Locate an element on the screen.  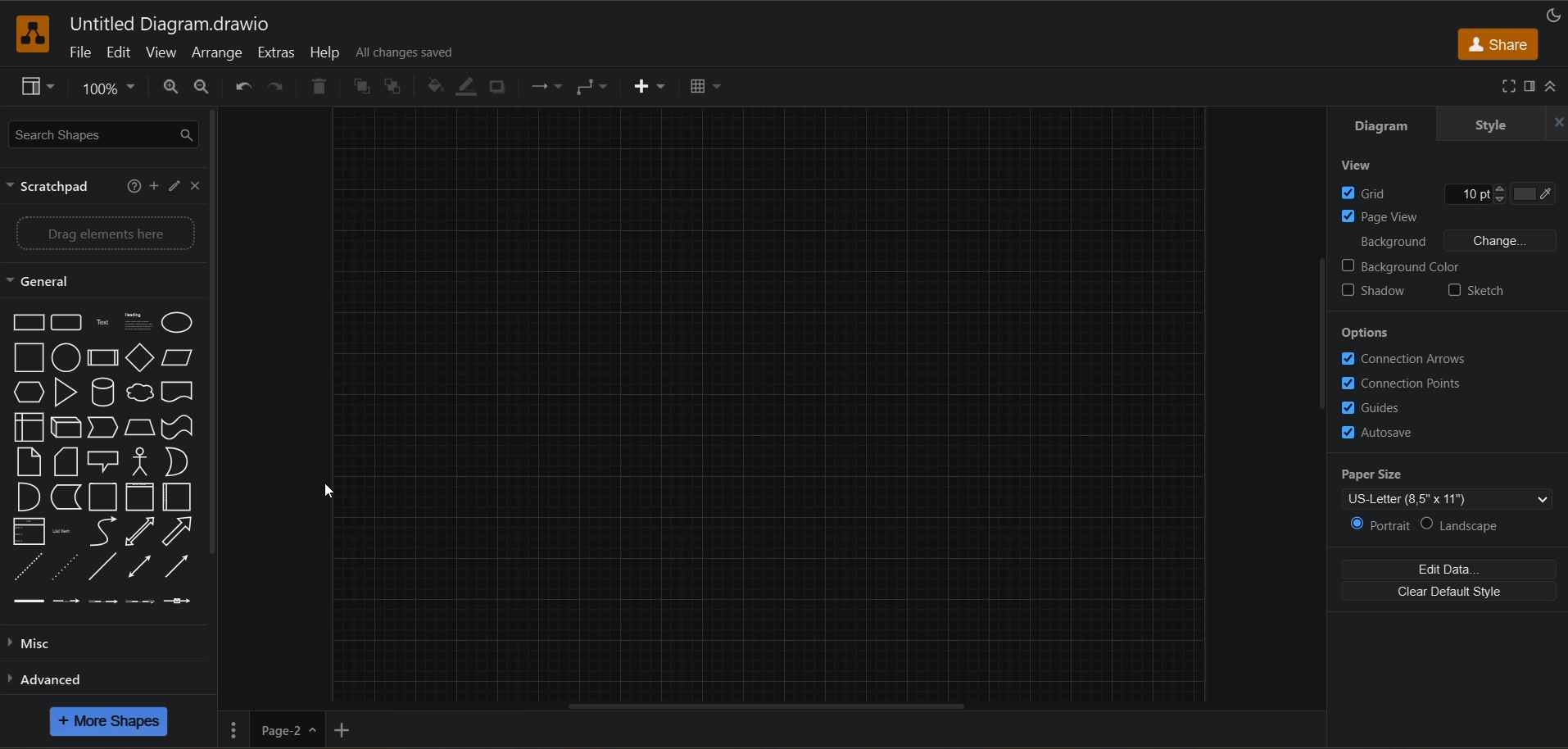
guides is located at coordinates (1383, 406).